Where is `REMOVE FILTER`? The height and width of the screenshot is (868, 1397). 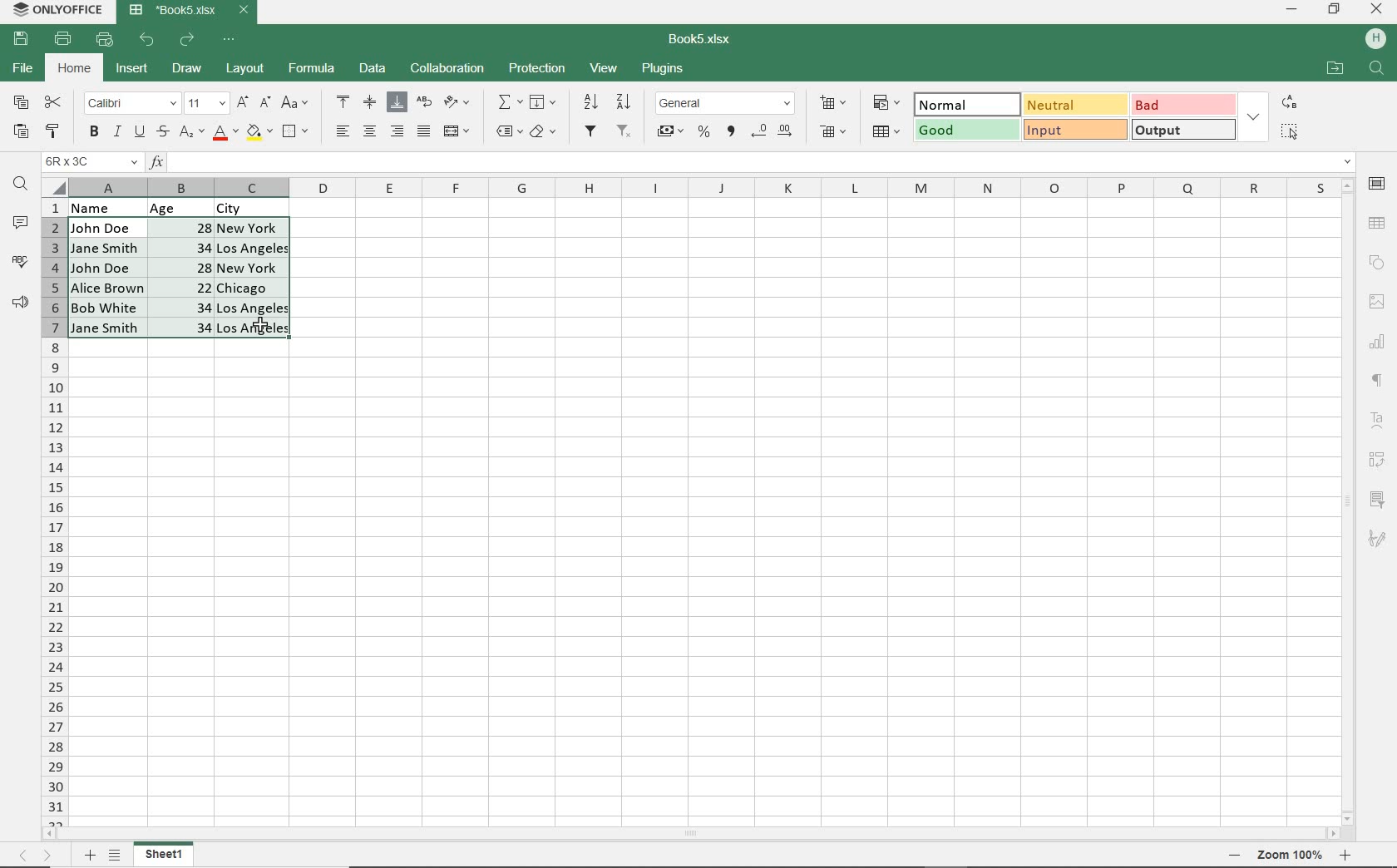
REMOVE FILTER is located at coordinates (625, 130).